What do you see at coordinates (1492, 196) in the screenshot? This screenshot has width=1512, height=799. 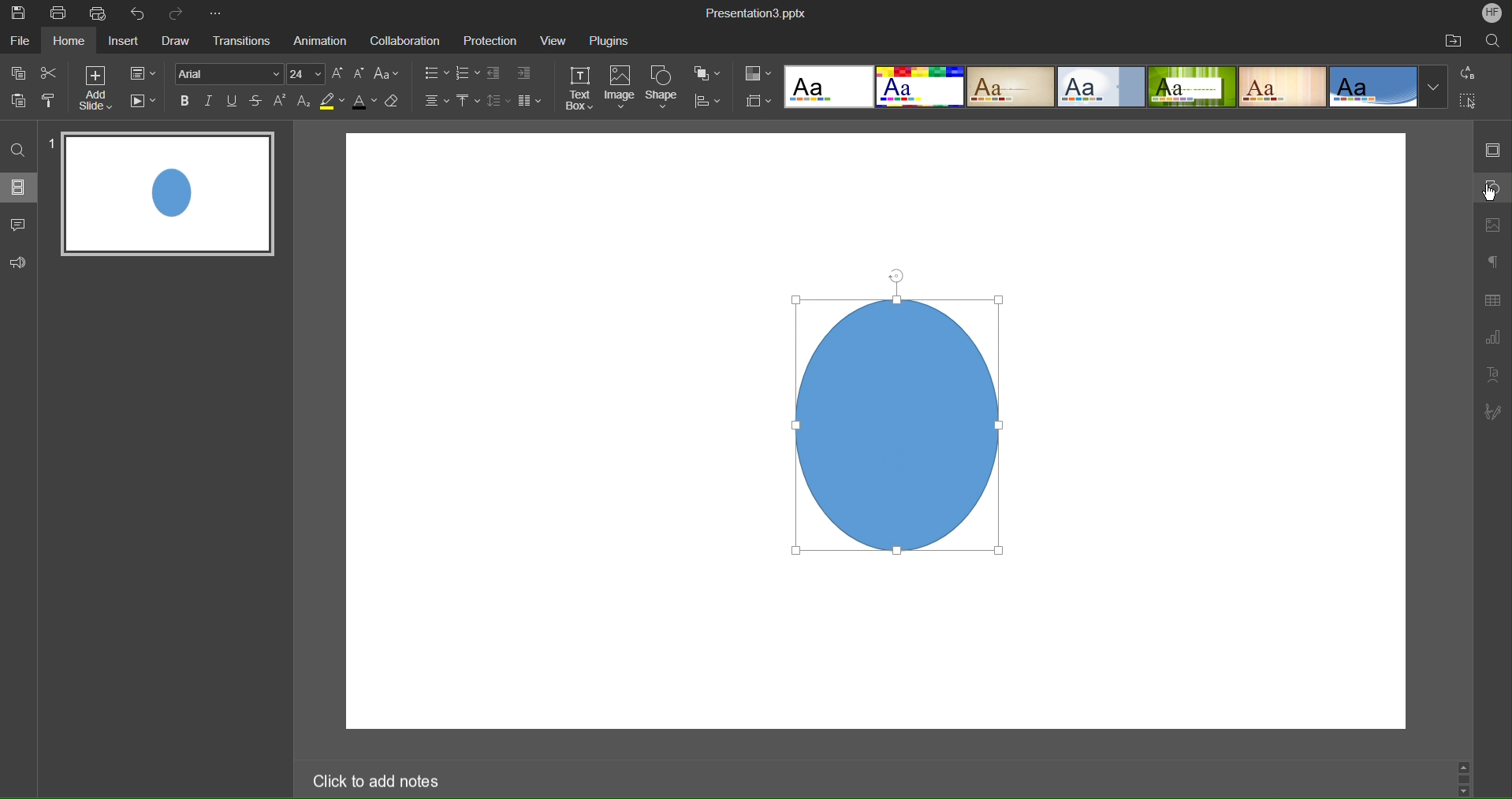 I see `Cursor` at bounding box center [1492, 196].